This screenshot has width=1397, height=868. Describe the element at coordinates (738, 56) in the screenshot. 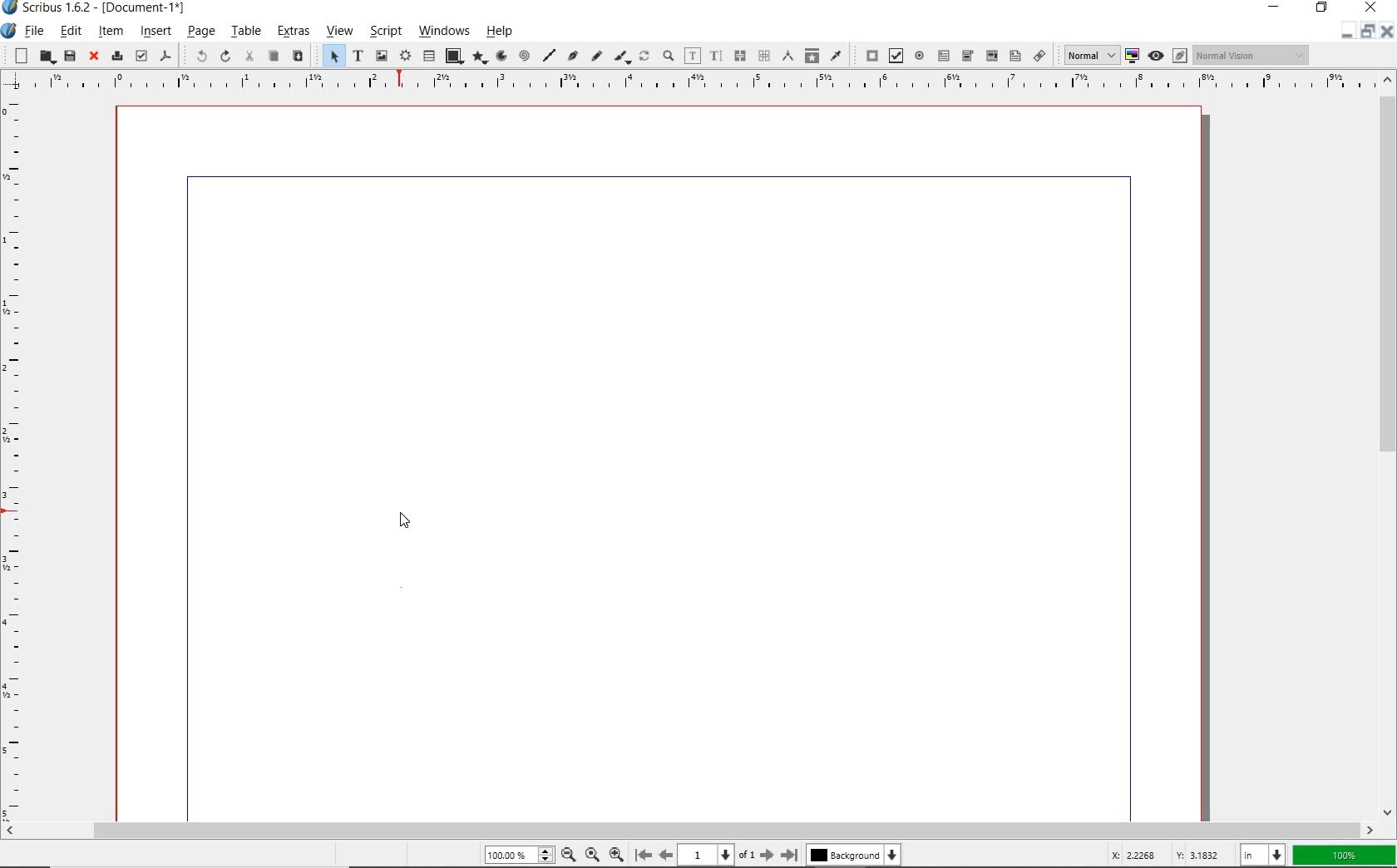

I see `link text frames` at that location.